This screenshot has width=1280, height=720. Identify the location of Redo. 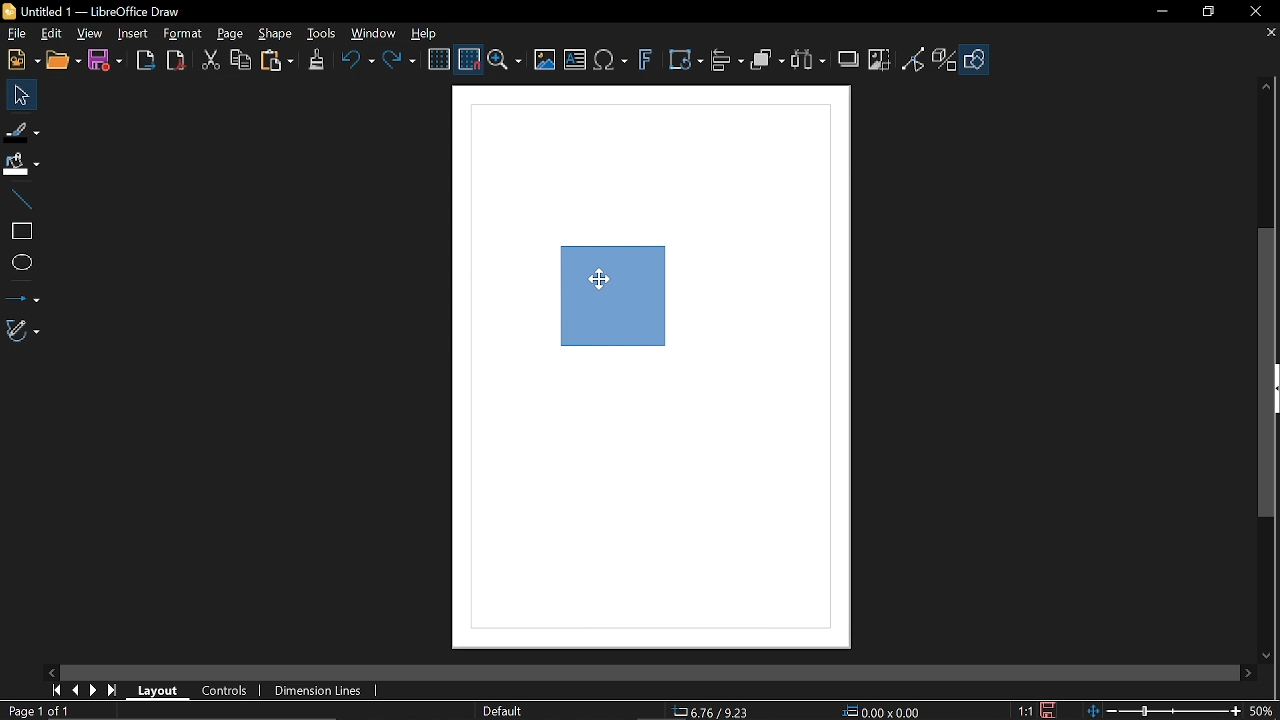
(398, 62).